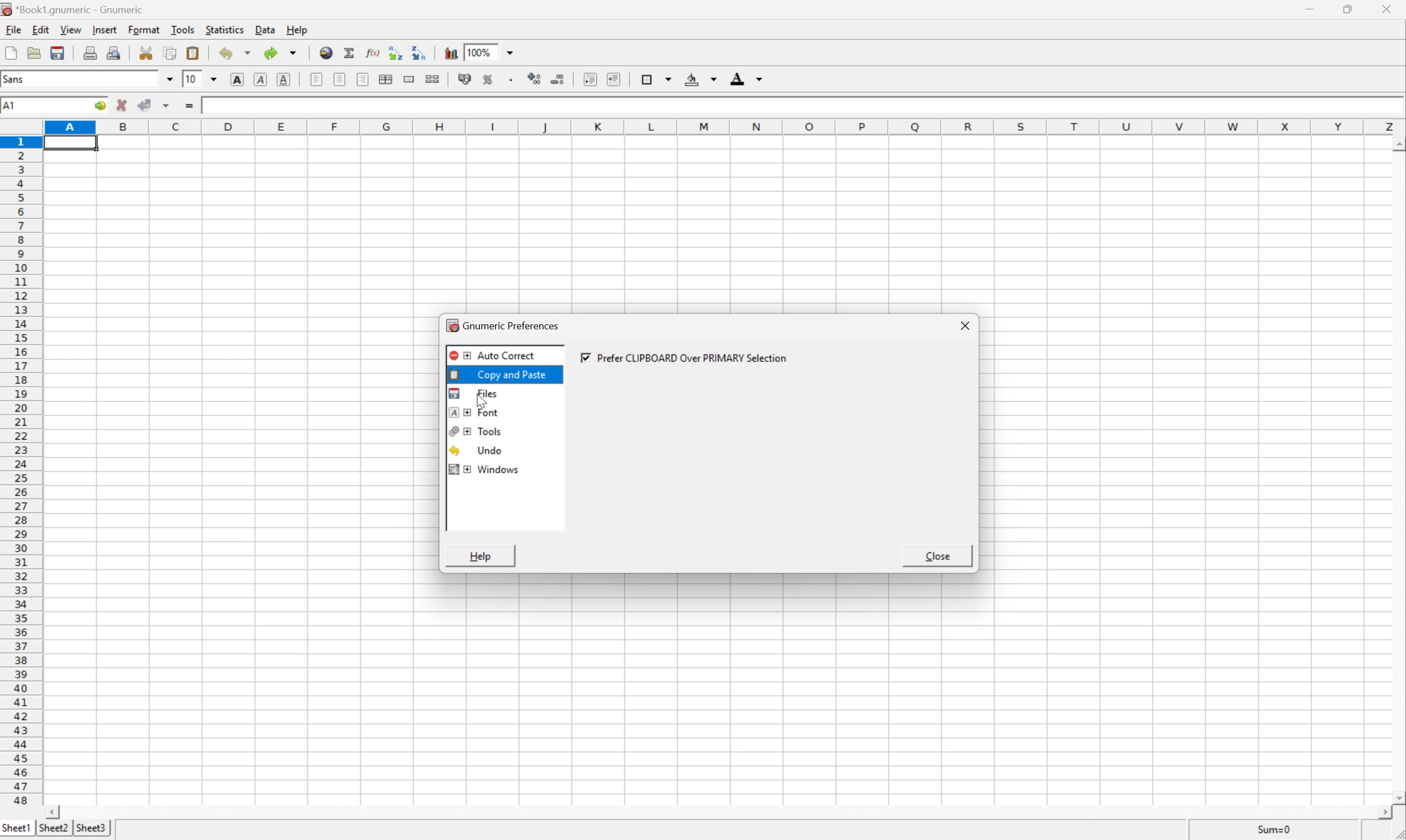 The width and height of the screenshot is (1406, 840). What do you see at coordinates (725, 129) in the screenshot?
I see `column names` at bounding box center [725, 129].